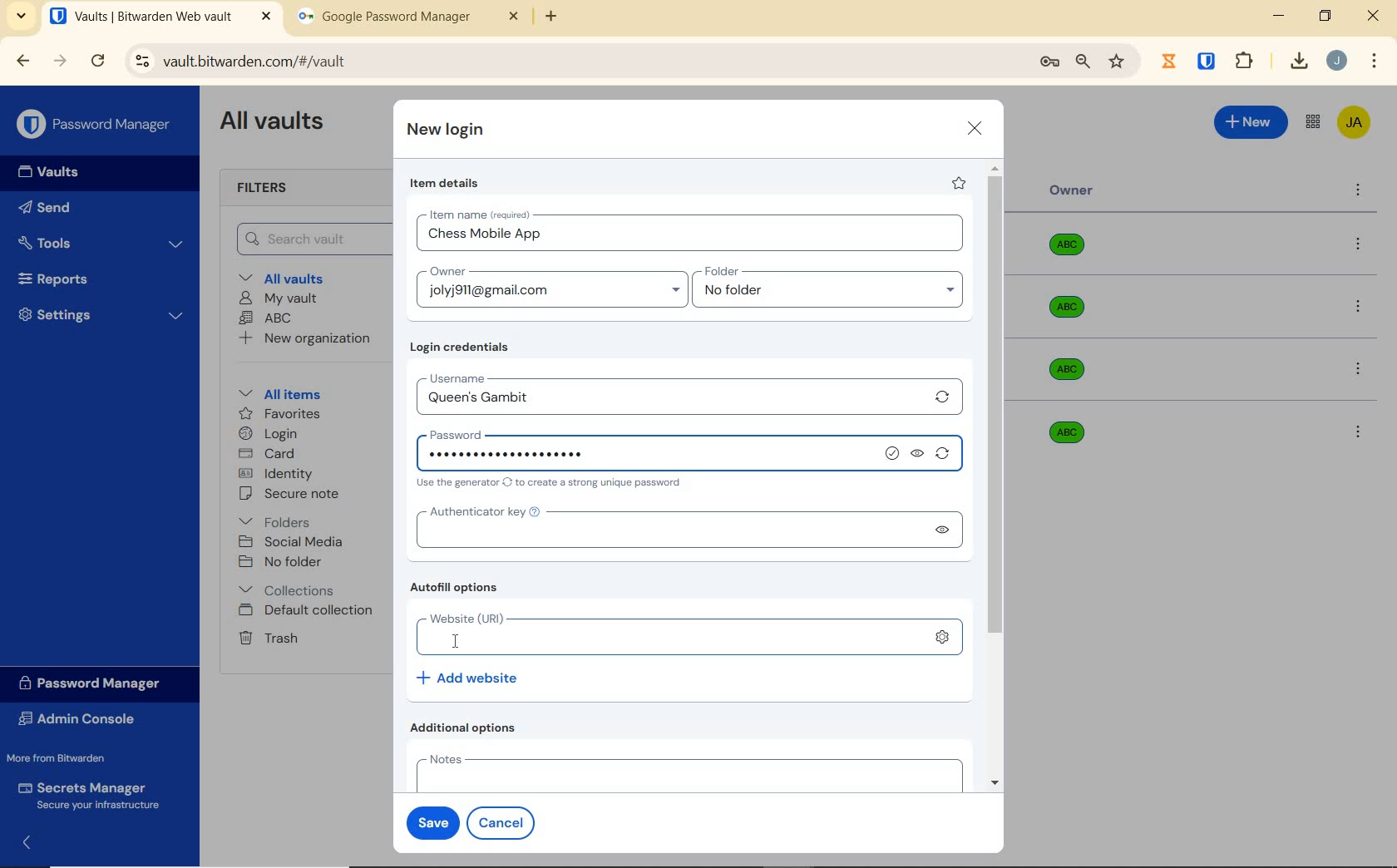  I want to click on No folder, so click(283, 563).